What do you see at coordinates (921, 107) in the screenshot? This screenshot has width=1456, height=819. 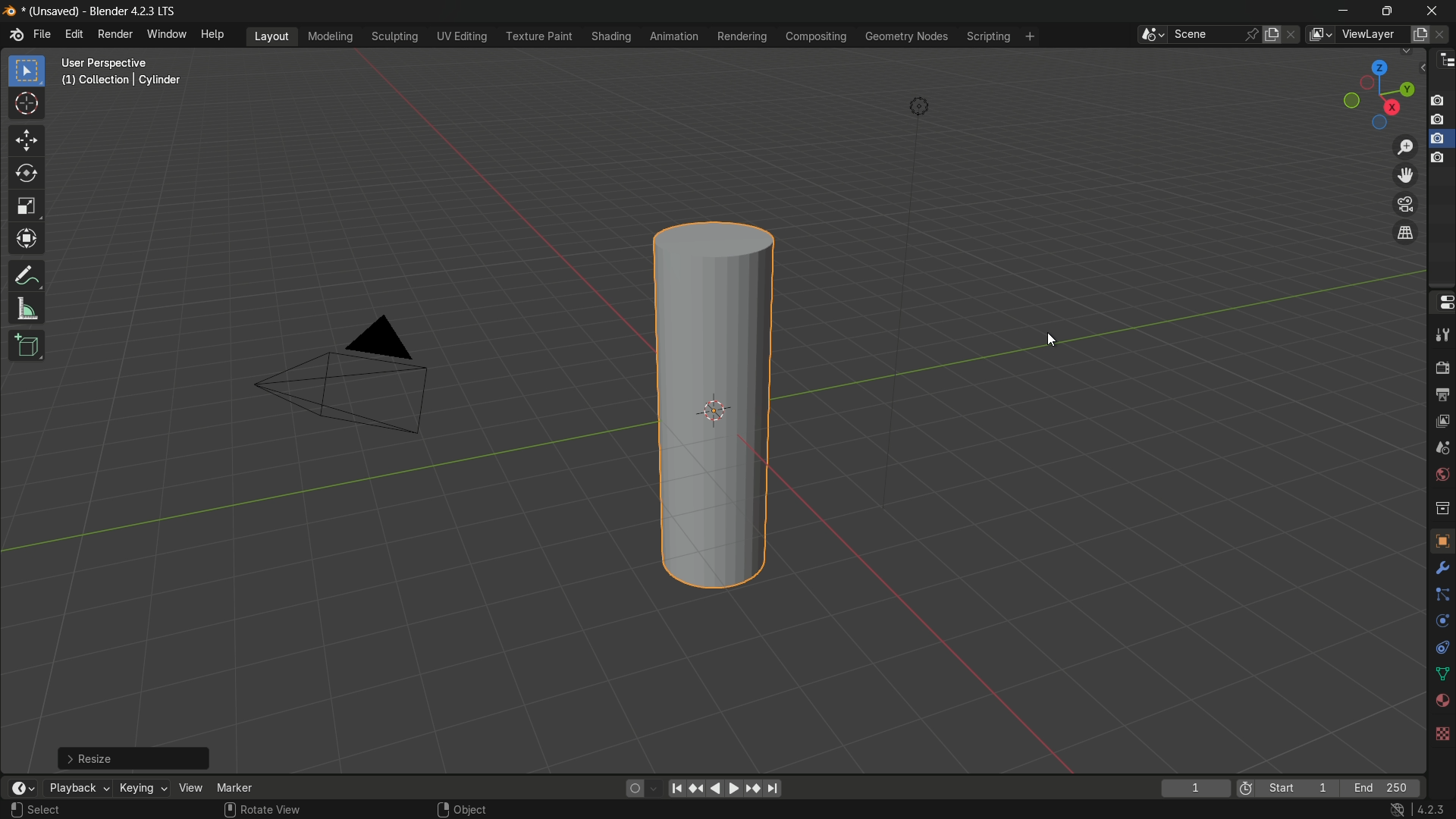 I see `light` at bounding box center [921, 107].